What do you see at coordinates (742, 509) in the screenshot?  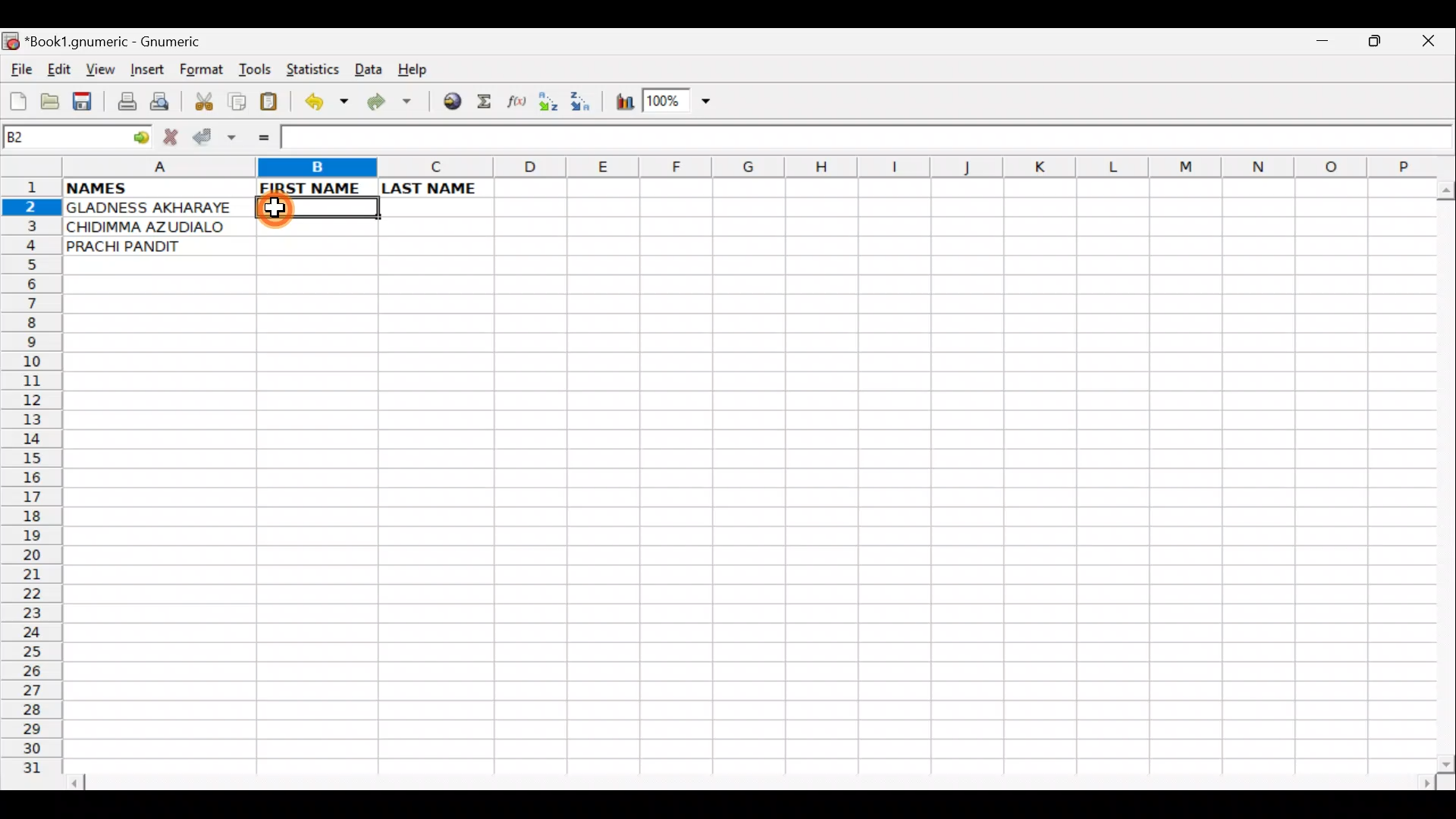 I see `Cells` at bounding box center [742, 509].